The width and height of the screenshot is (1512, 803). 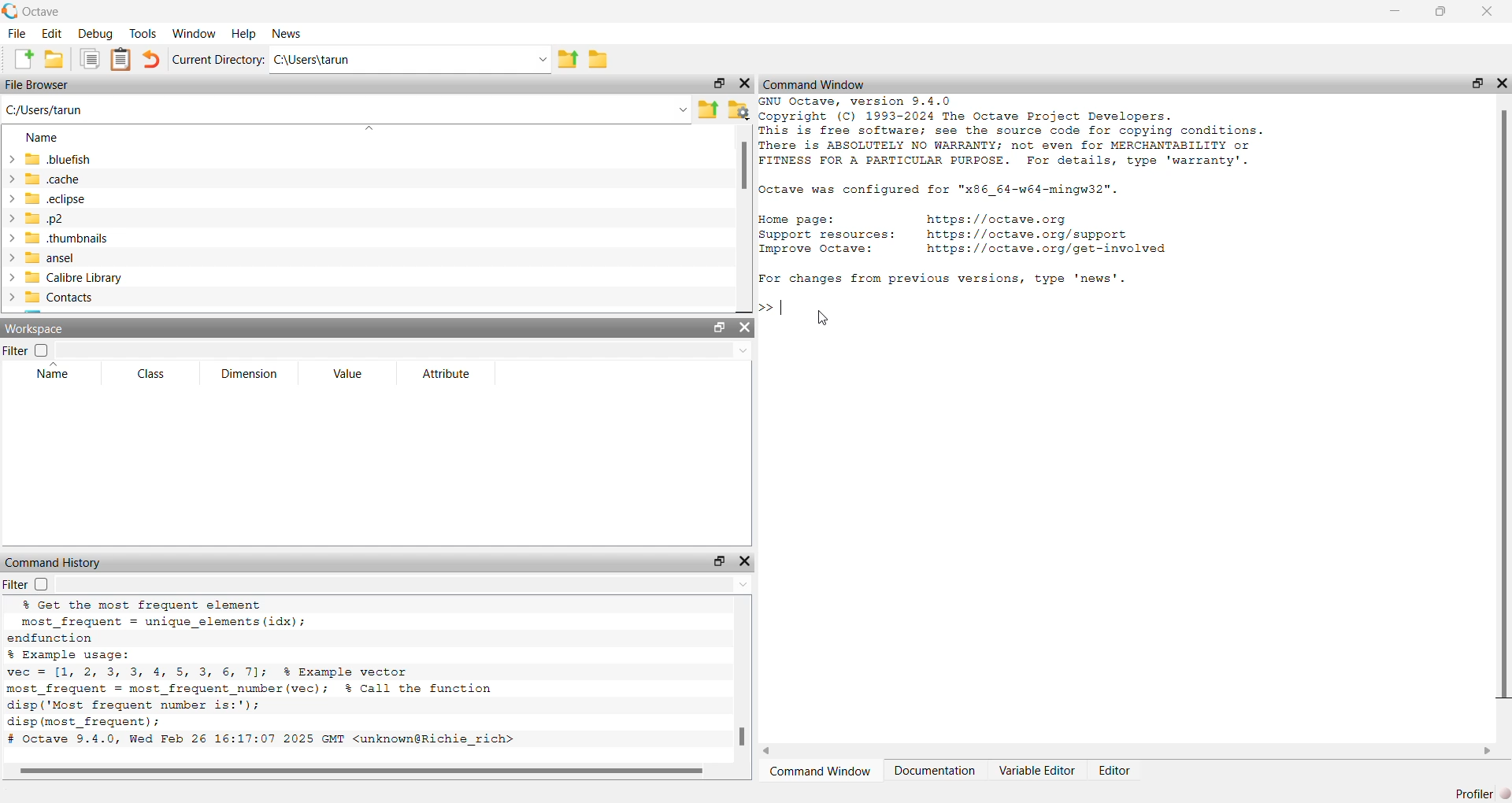 I want to click on Command Window, so click(x=824, y=771).